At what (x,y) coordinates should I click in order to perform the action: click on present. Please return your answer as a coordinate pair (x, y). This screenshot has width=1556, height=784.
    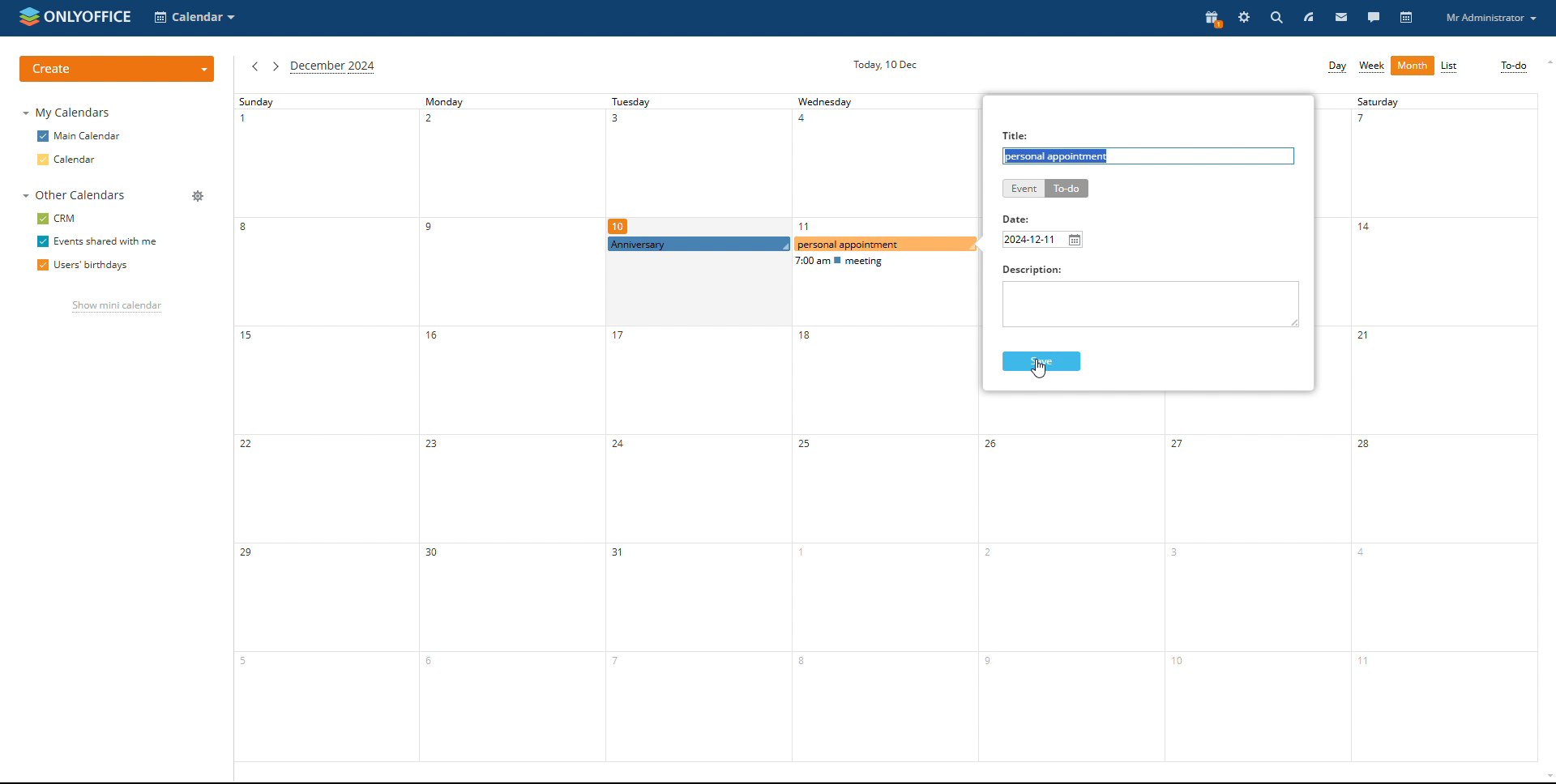
    Looking at the image, I should click on (1210, 19).